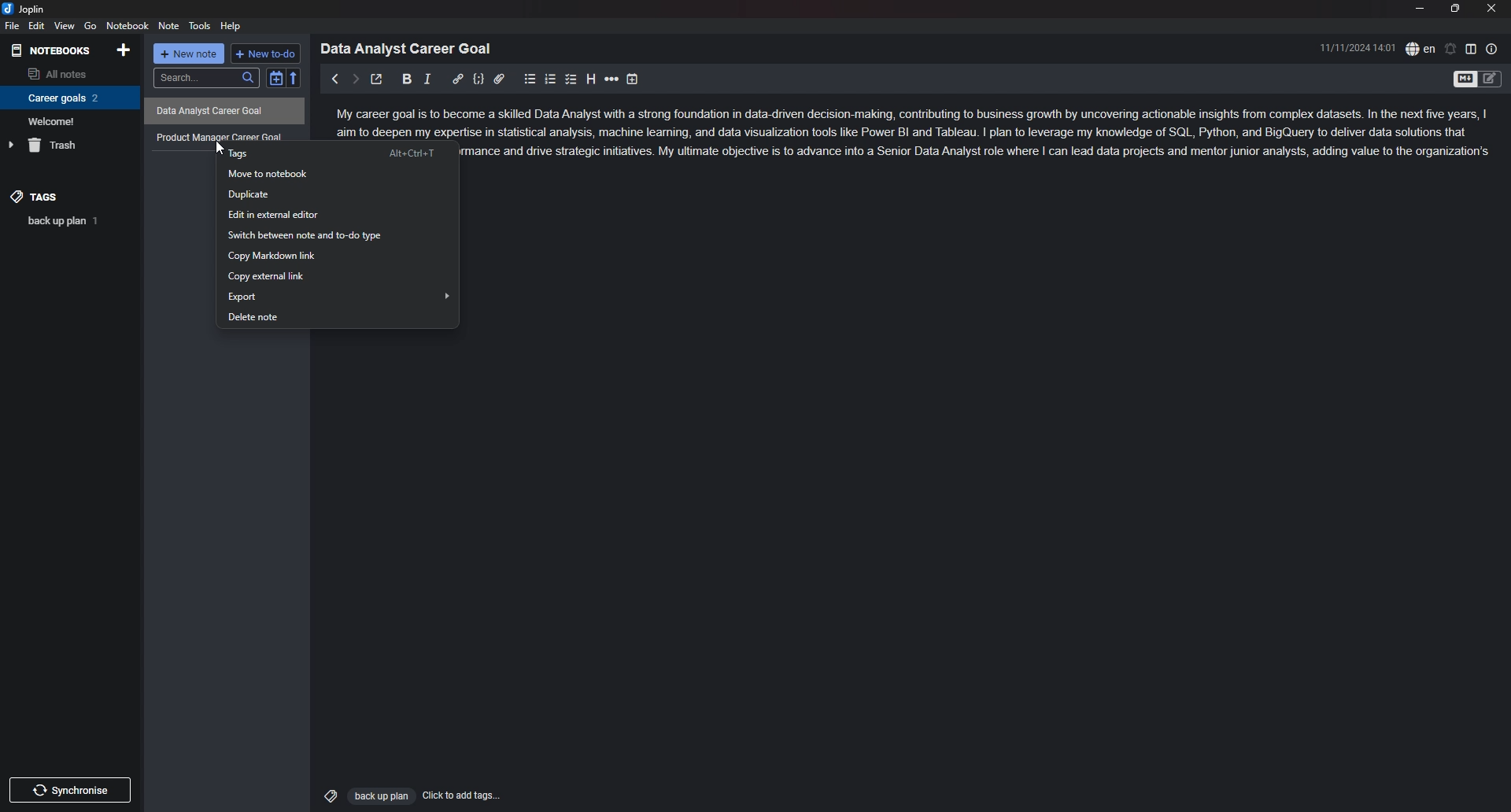 The width and height of the screenshot is (1511, 812). I want to click on Click to add tags..., so click(463, 795).